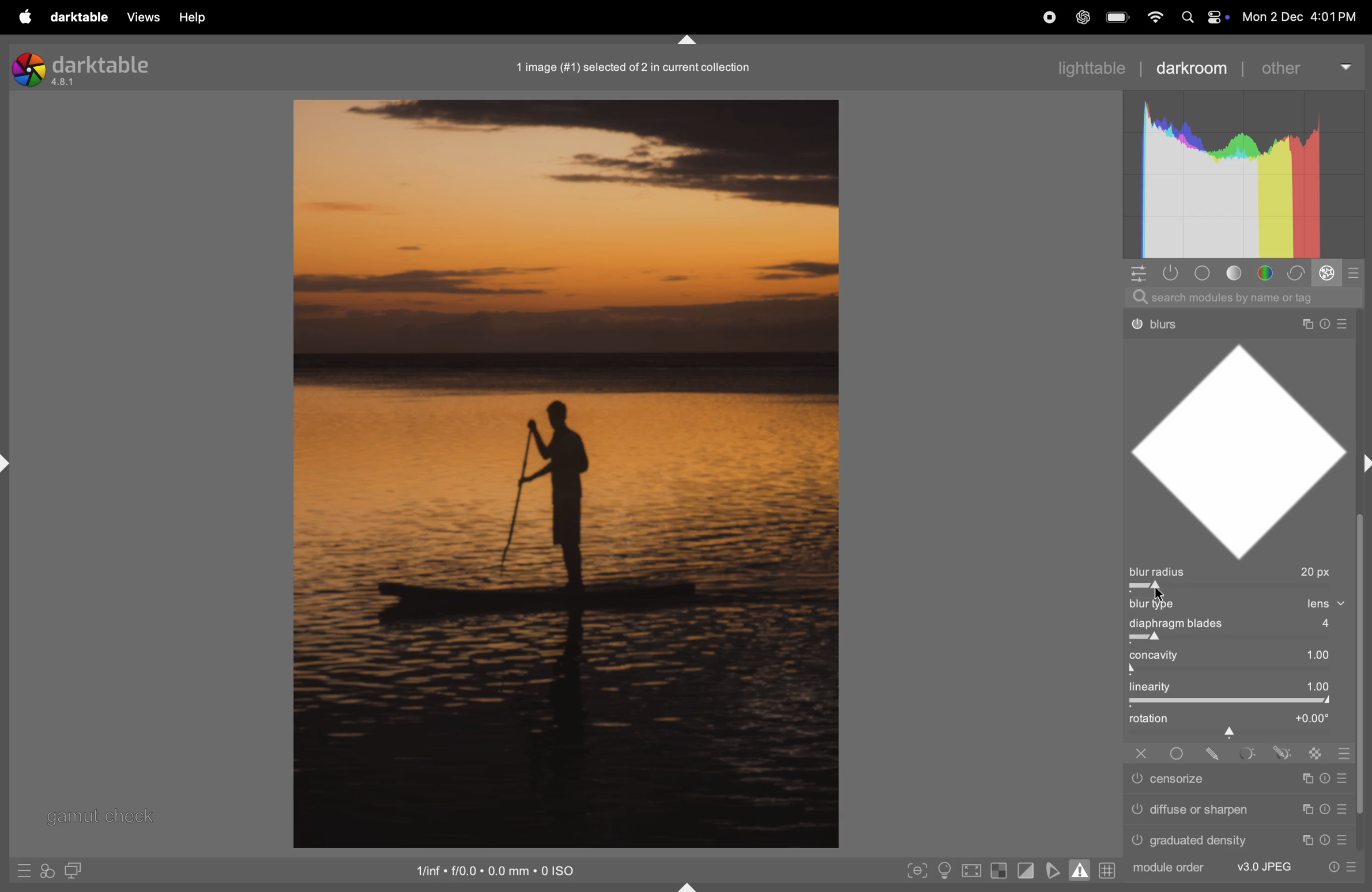  Describe the element at coordinates (1241, 638) in the screenshot. I see `toggle bar` at that location.